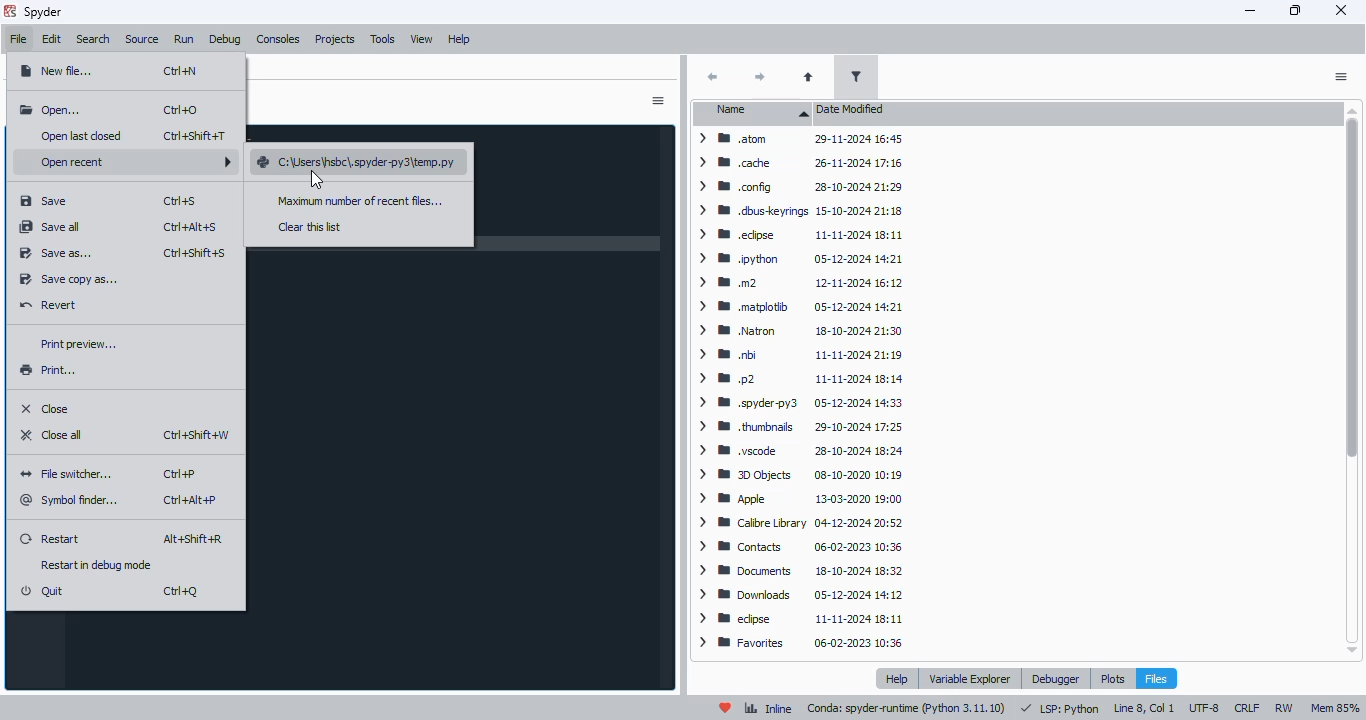 The width and height of the screenshot is (1366, 720). Describe the element at coordinates (1112, 678) in the screenshot. I see `plots` at that location.